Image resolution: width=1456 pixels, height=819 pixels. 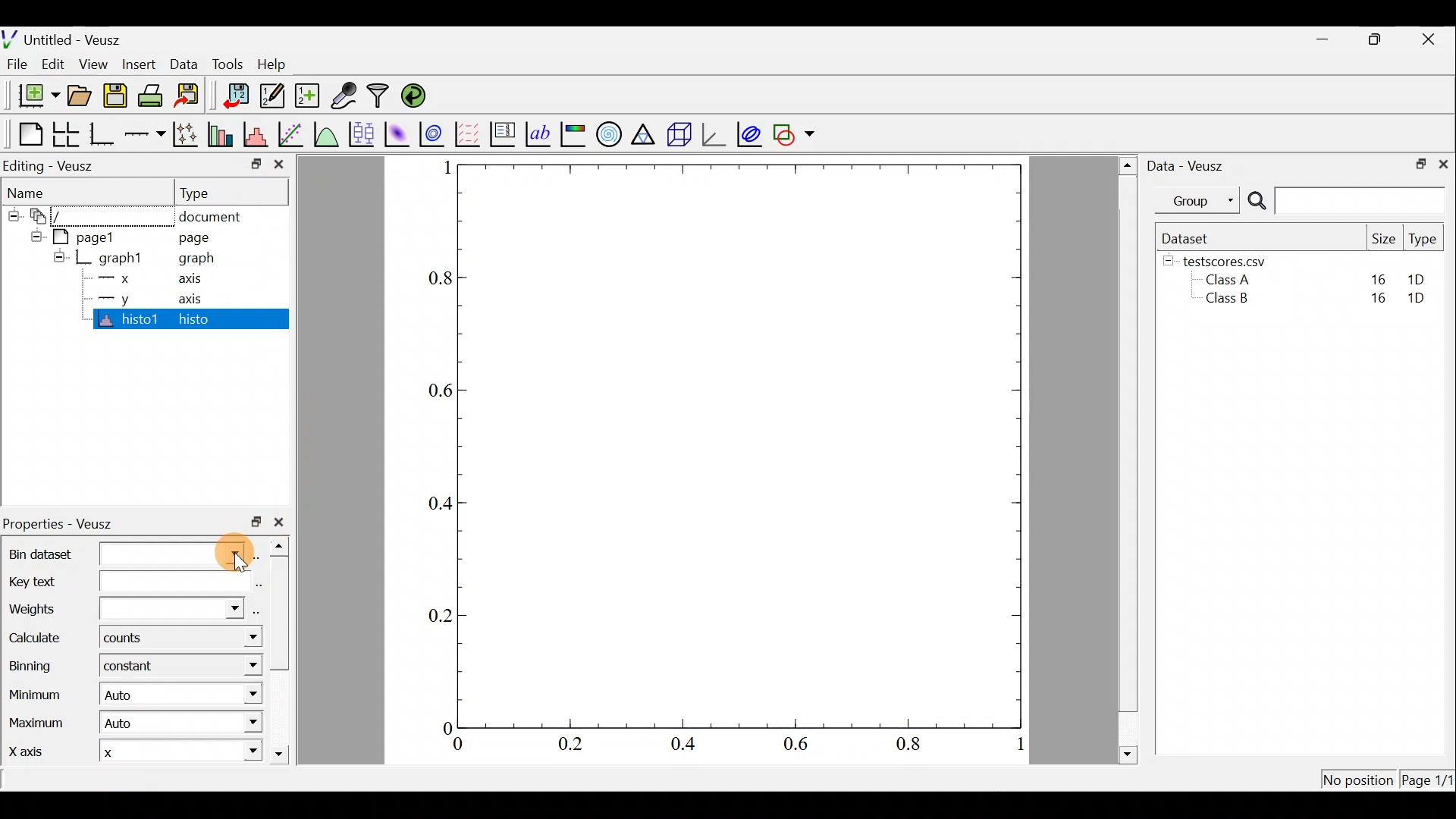 I want to click on Image color bar, so click(x=573, y=134).